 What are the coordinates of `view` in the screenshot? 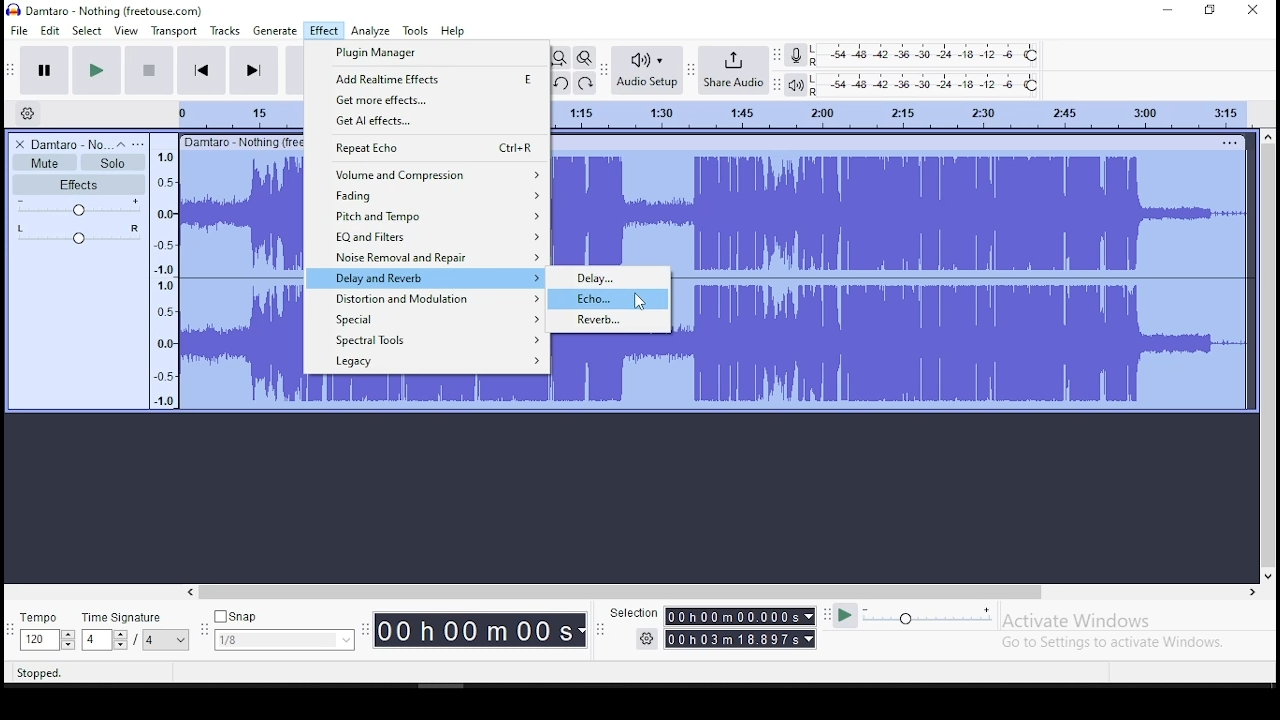 It's located at (126, 30).